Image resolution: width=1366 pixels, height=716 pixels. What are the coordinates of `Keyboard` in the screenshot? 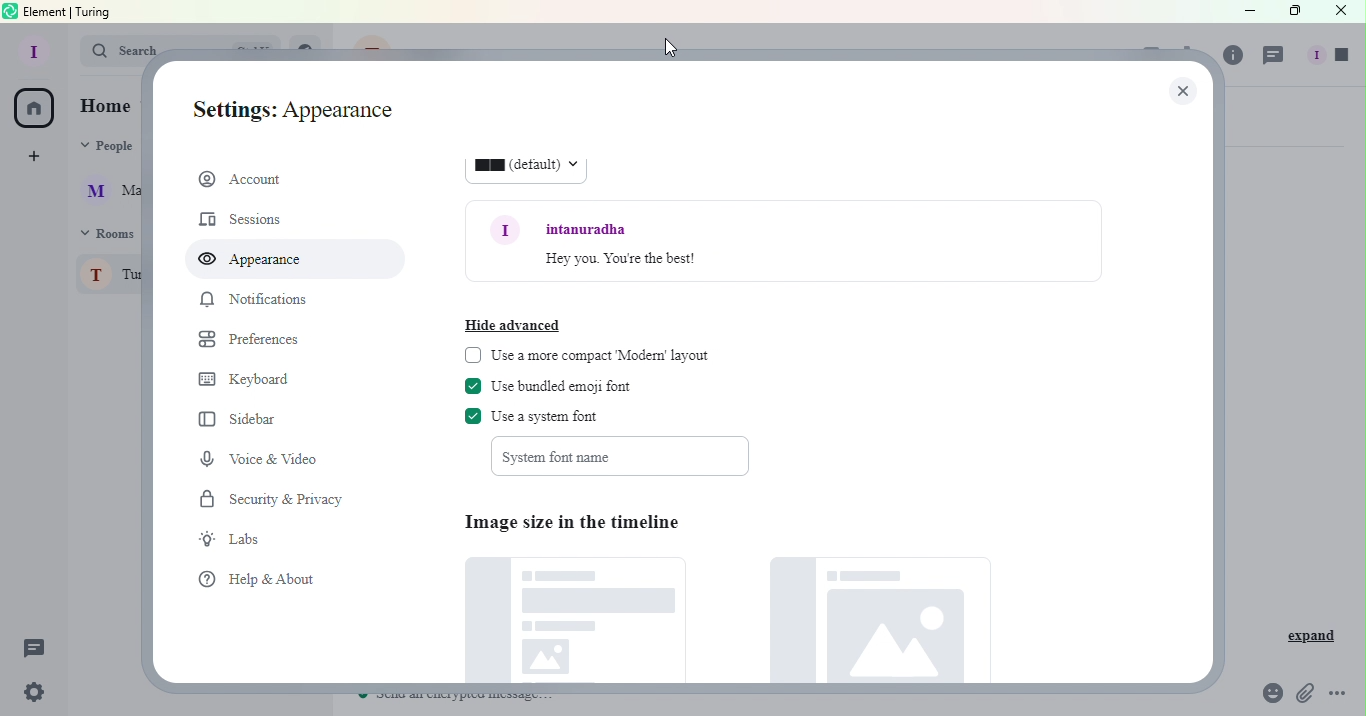 It's located at (266, 380).